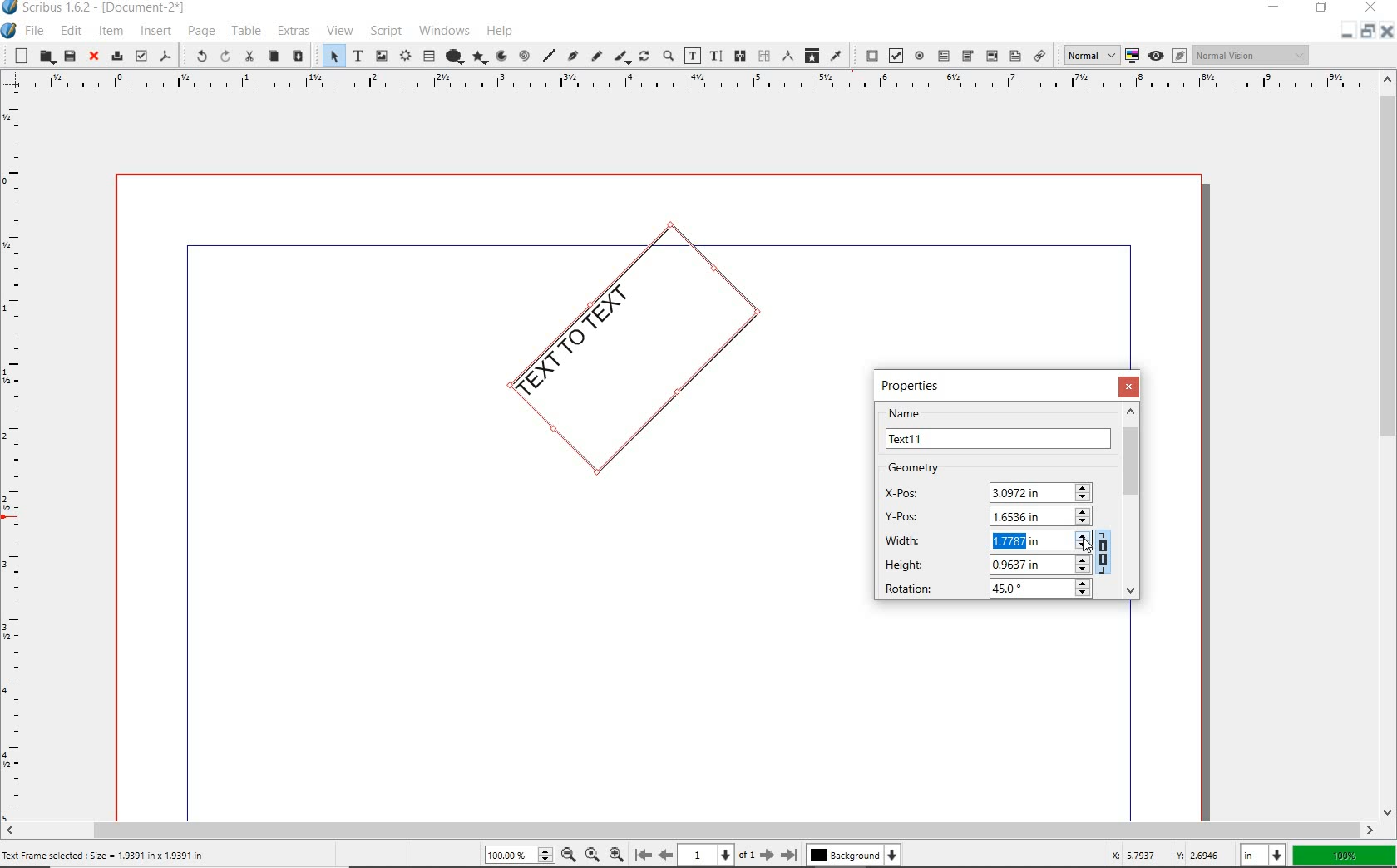  I want to click on CLOSE, so click(1131, 387).